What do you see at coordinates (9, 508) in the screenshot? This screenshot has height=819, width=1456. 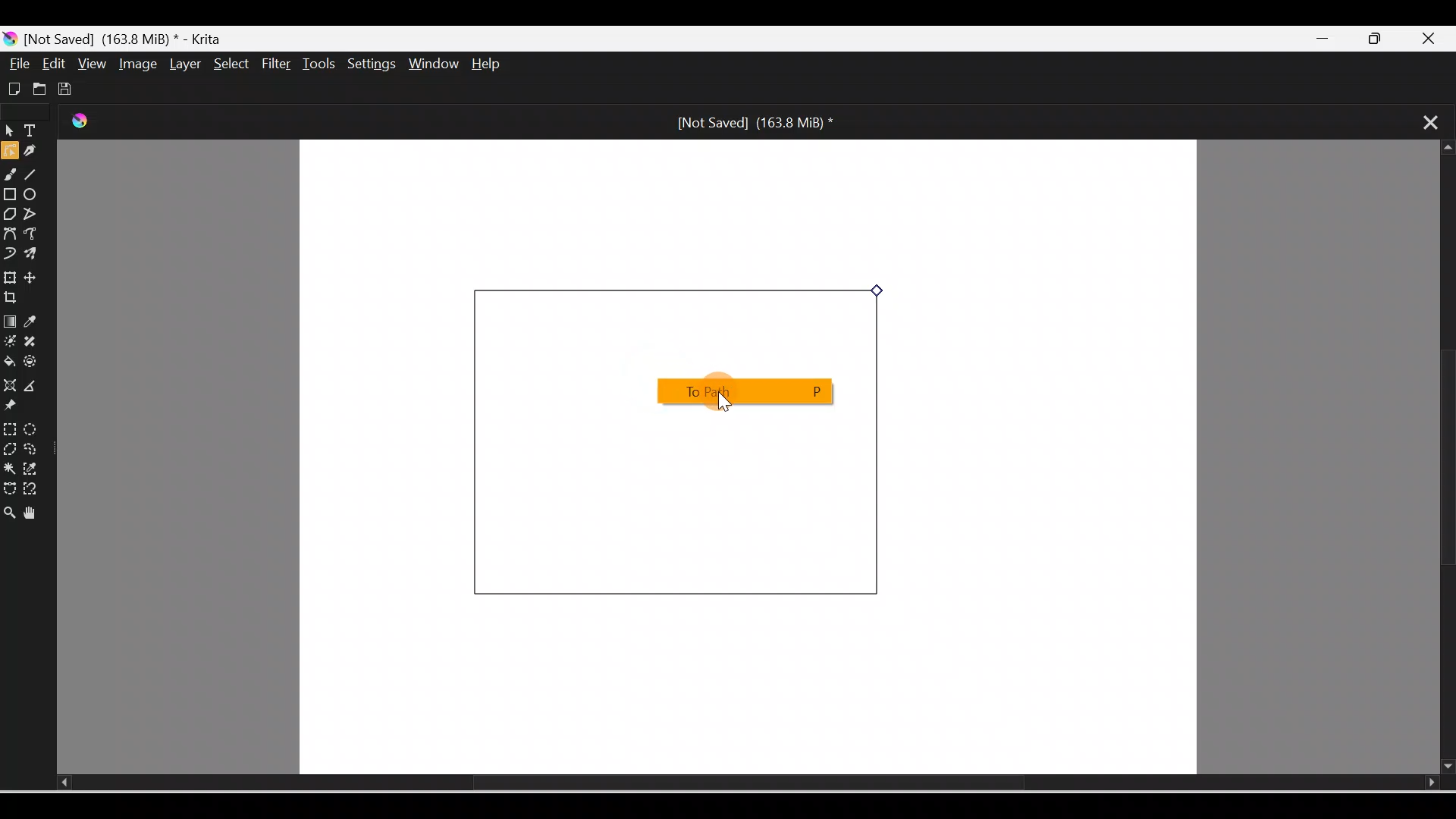 I see `Zoom tool` at bounding box center [9, 508].